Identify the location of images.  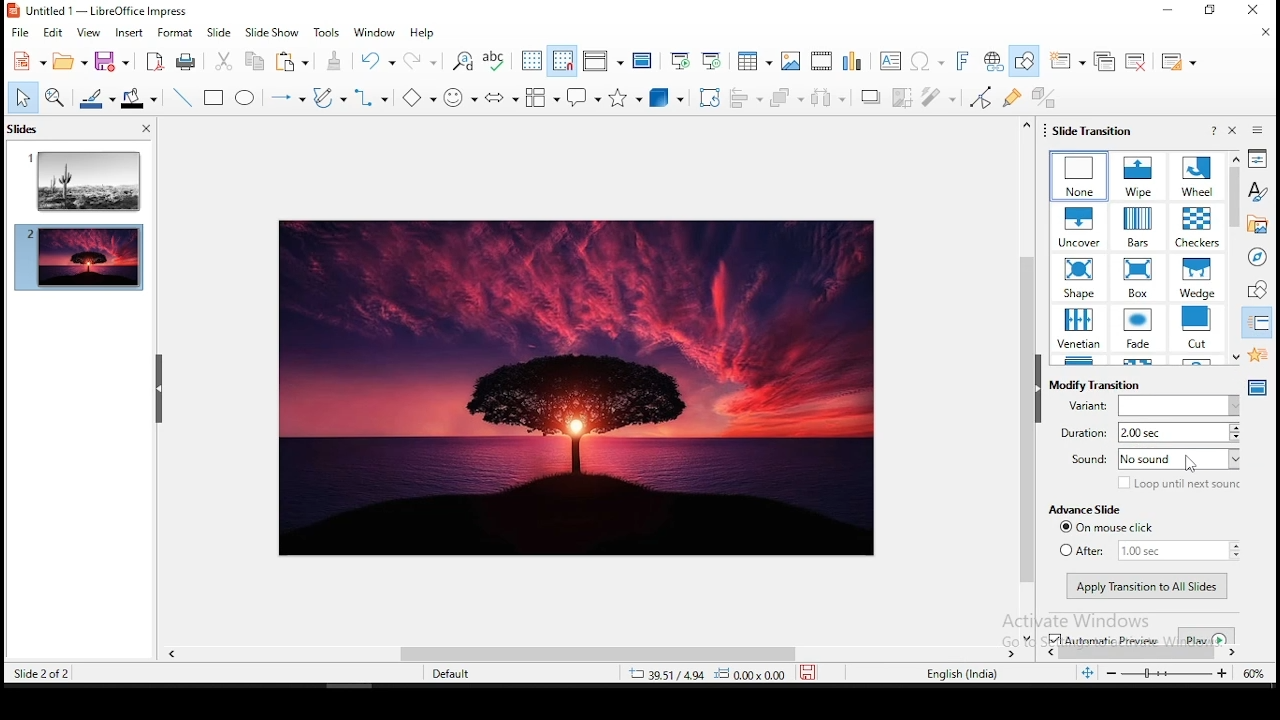
(788, 58).